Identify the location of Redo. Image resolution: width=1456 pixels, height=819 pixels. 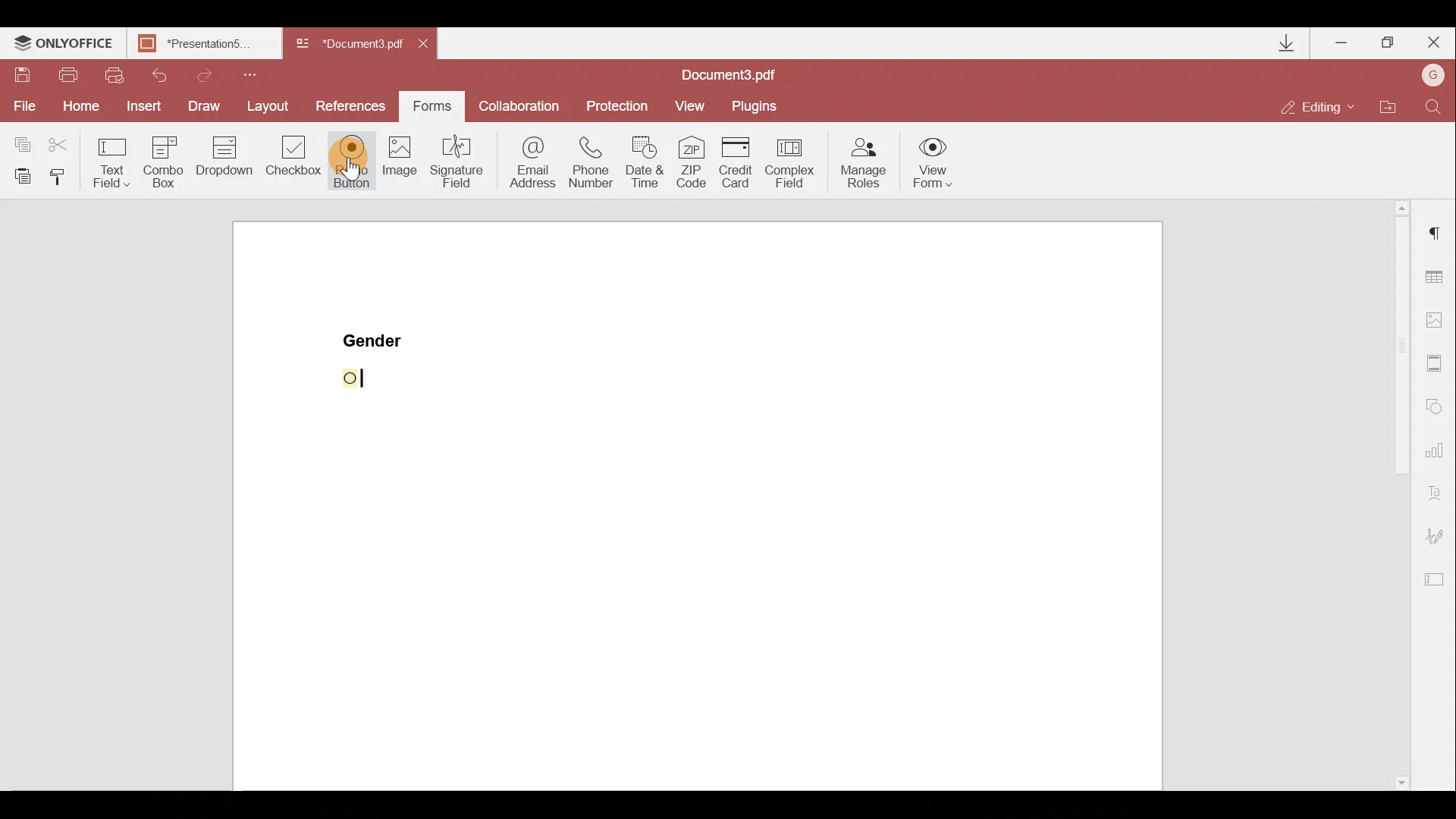
(218, 75).